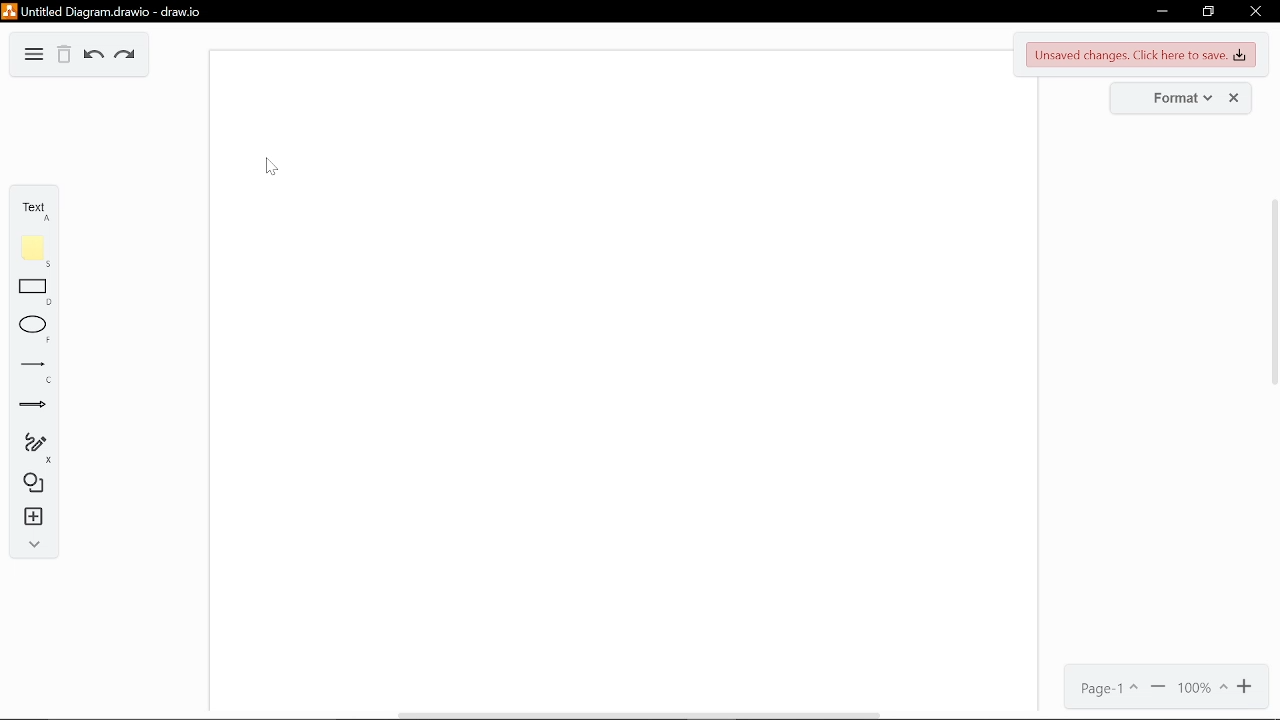  What do you see at coordinates (30, 404) in the screenshot?
I see `arrows` at bounding box center [30, 404].